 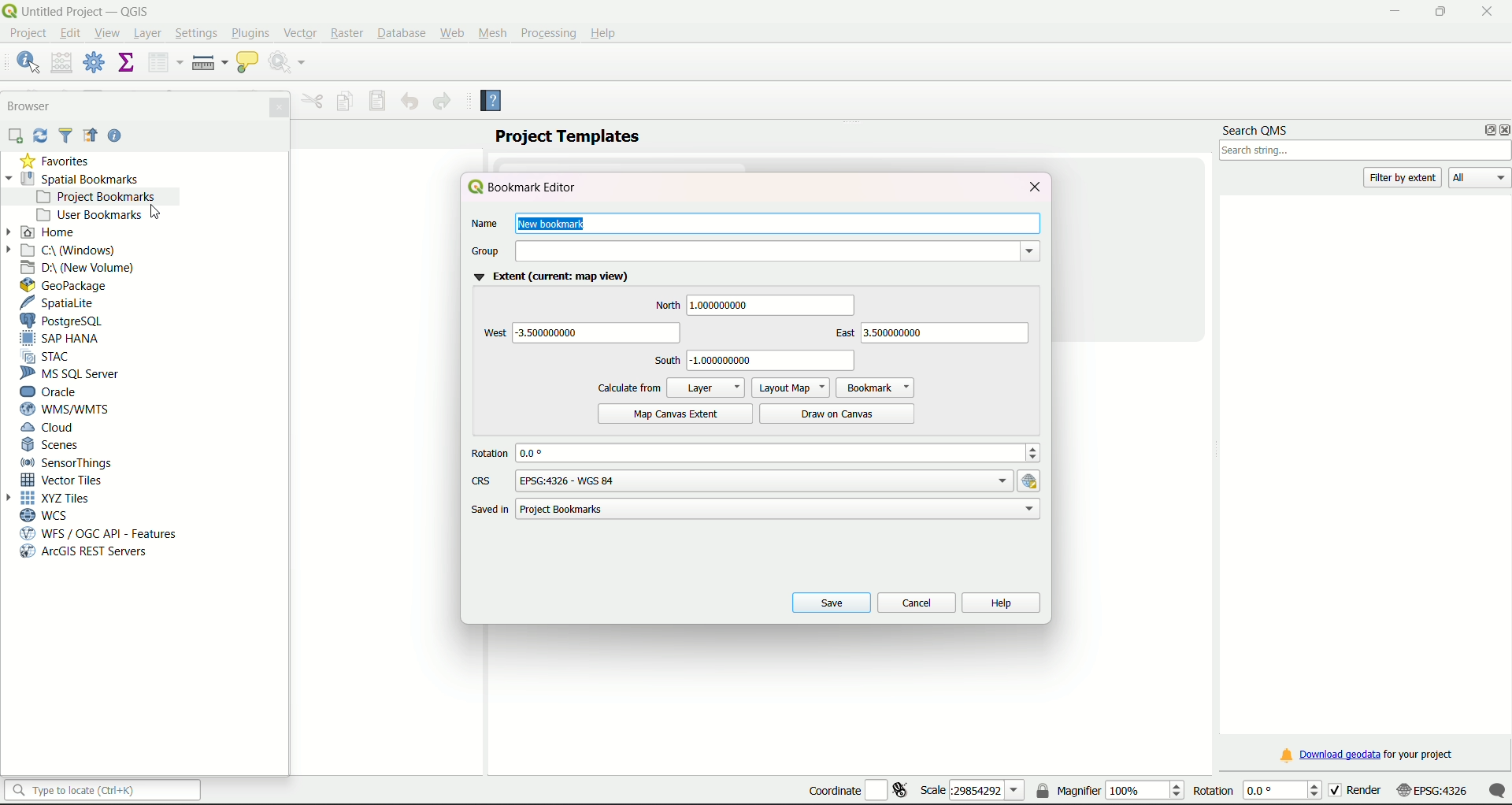 What do you see at coordinates (379, 101) in the screenshot?
I see `Save features` at bounding box center [379, 101].